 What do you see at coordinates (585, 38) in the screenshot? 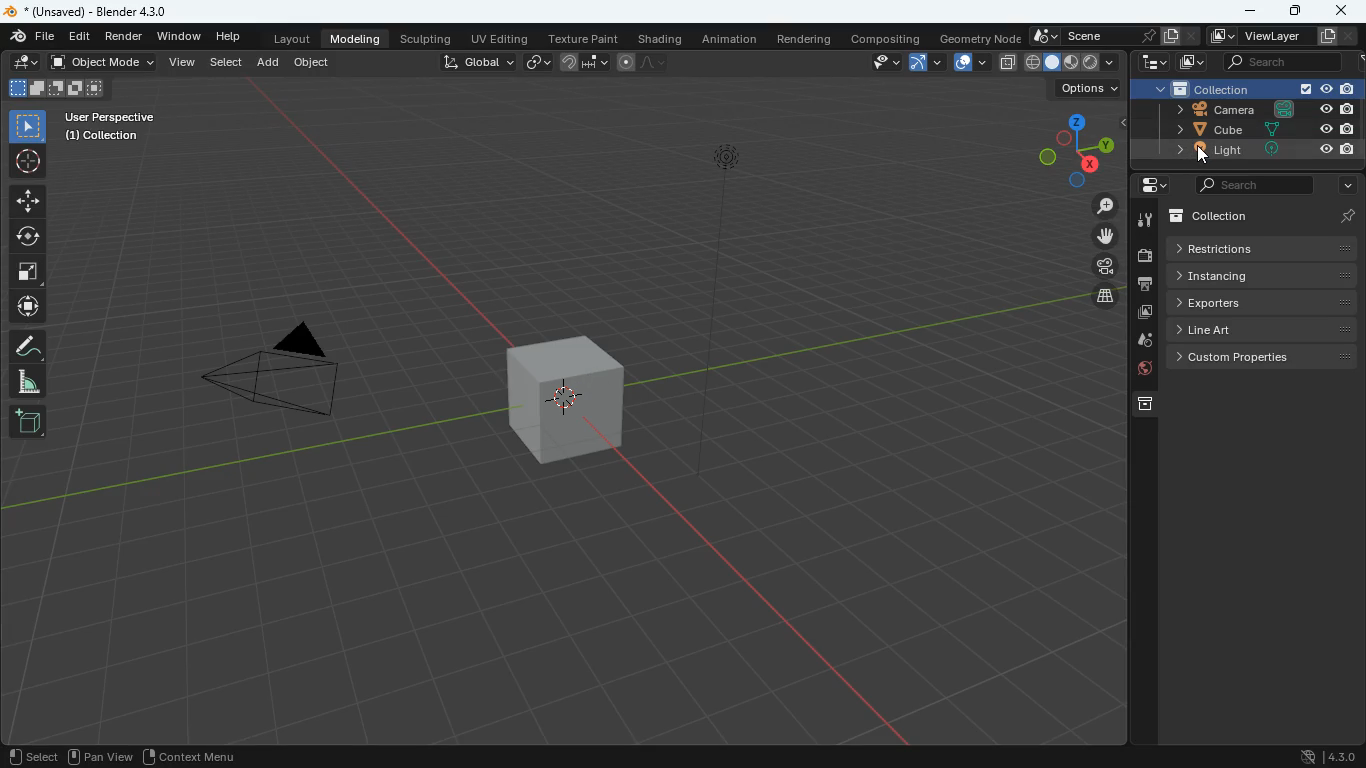
I see `texture paint` at bounding box center [585, 38].